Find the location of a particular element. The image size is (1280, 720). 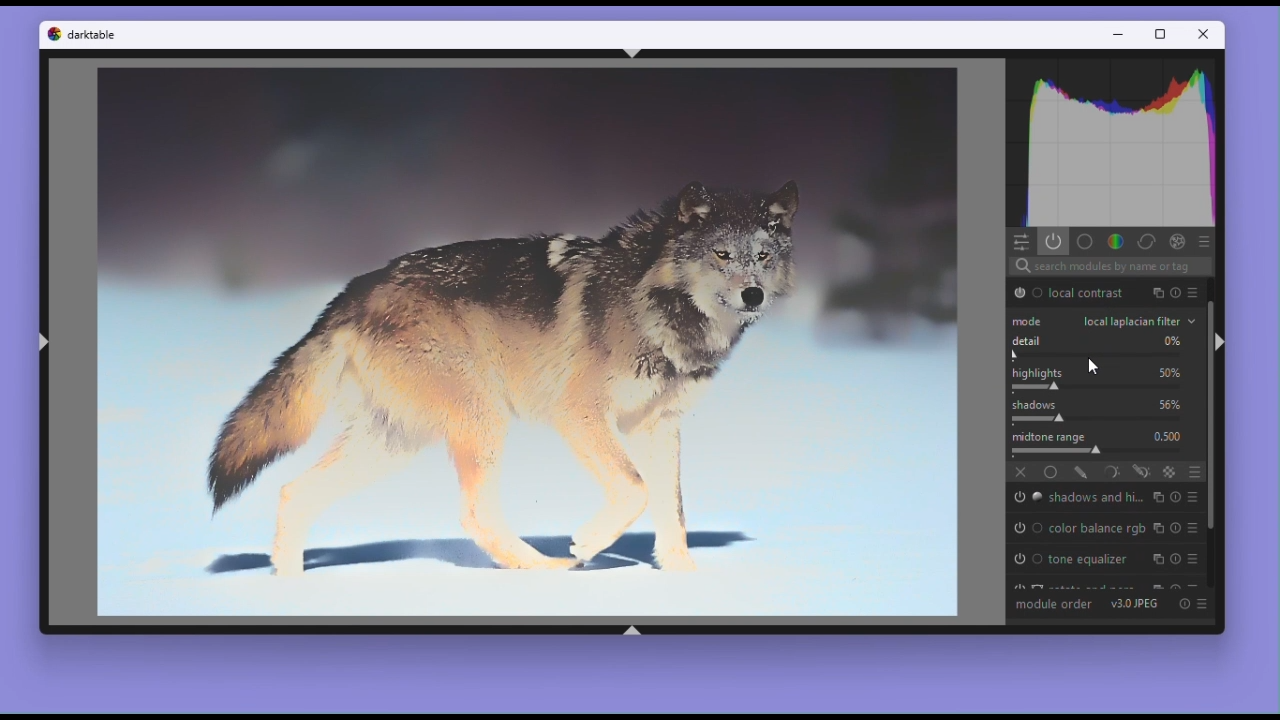

blending options is located at coordinates (1196, 474).